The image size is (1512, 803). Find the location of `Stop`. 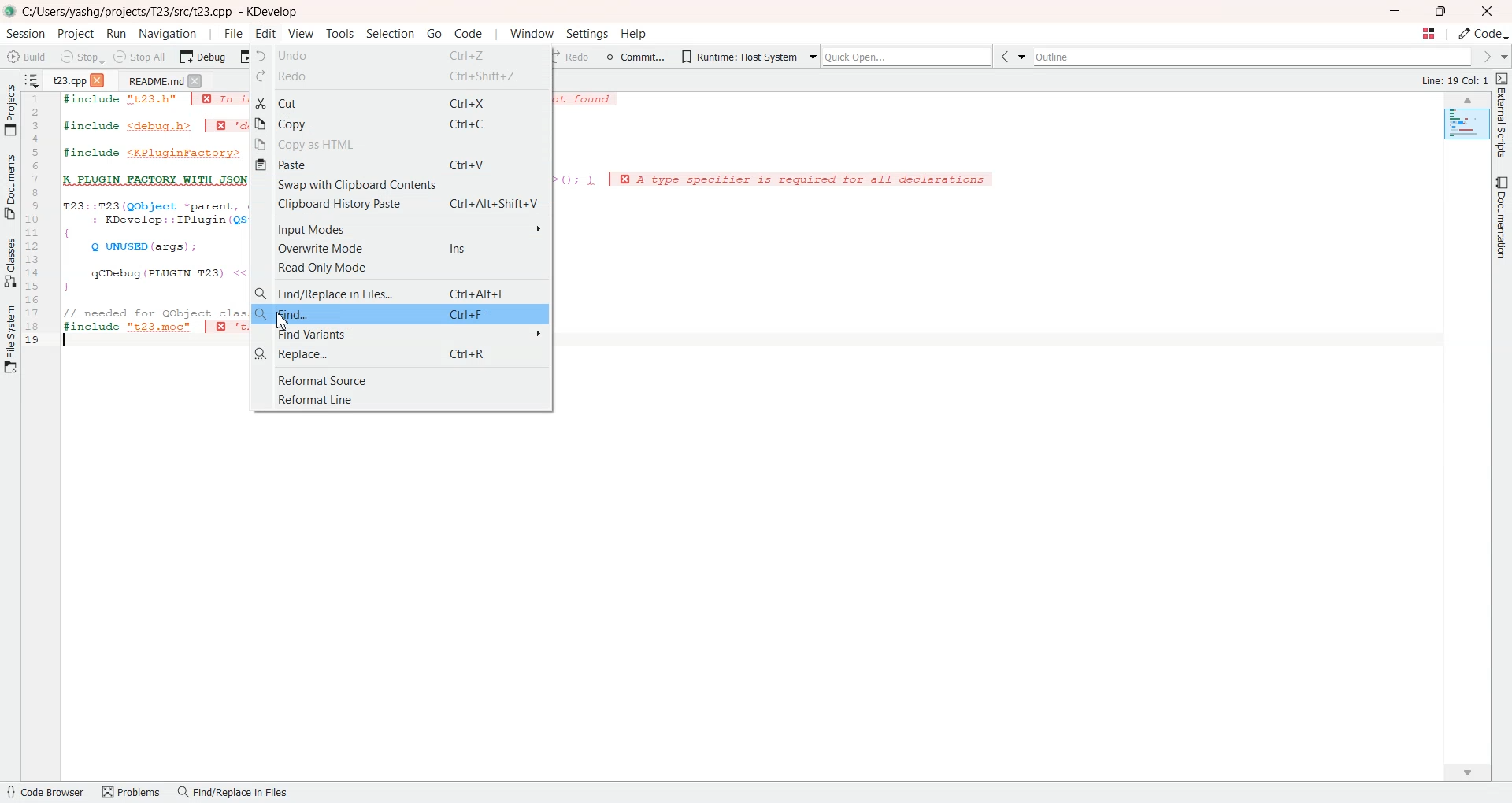

Stop is located at coordinates (81, 57).